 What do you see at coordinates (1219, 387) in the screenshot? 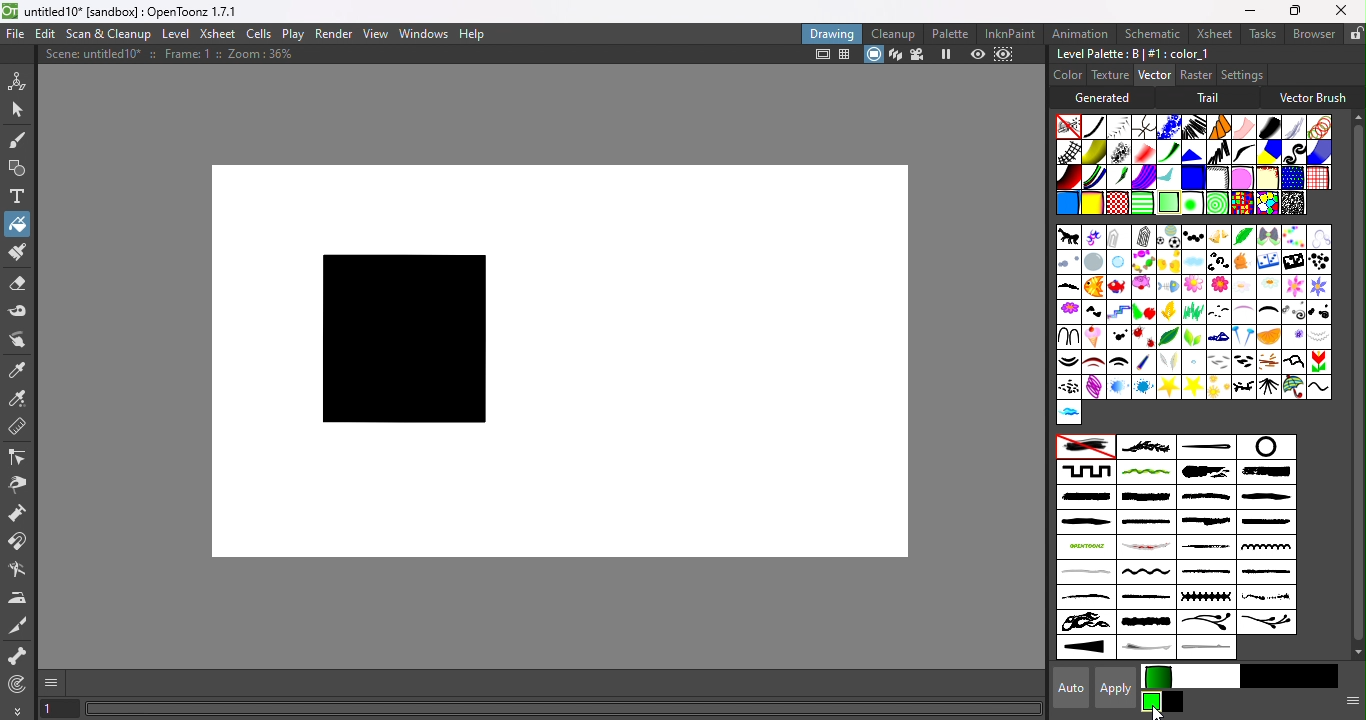
I see `sunflower` at bounding box center [1219, 387].